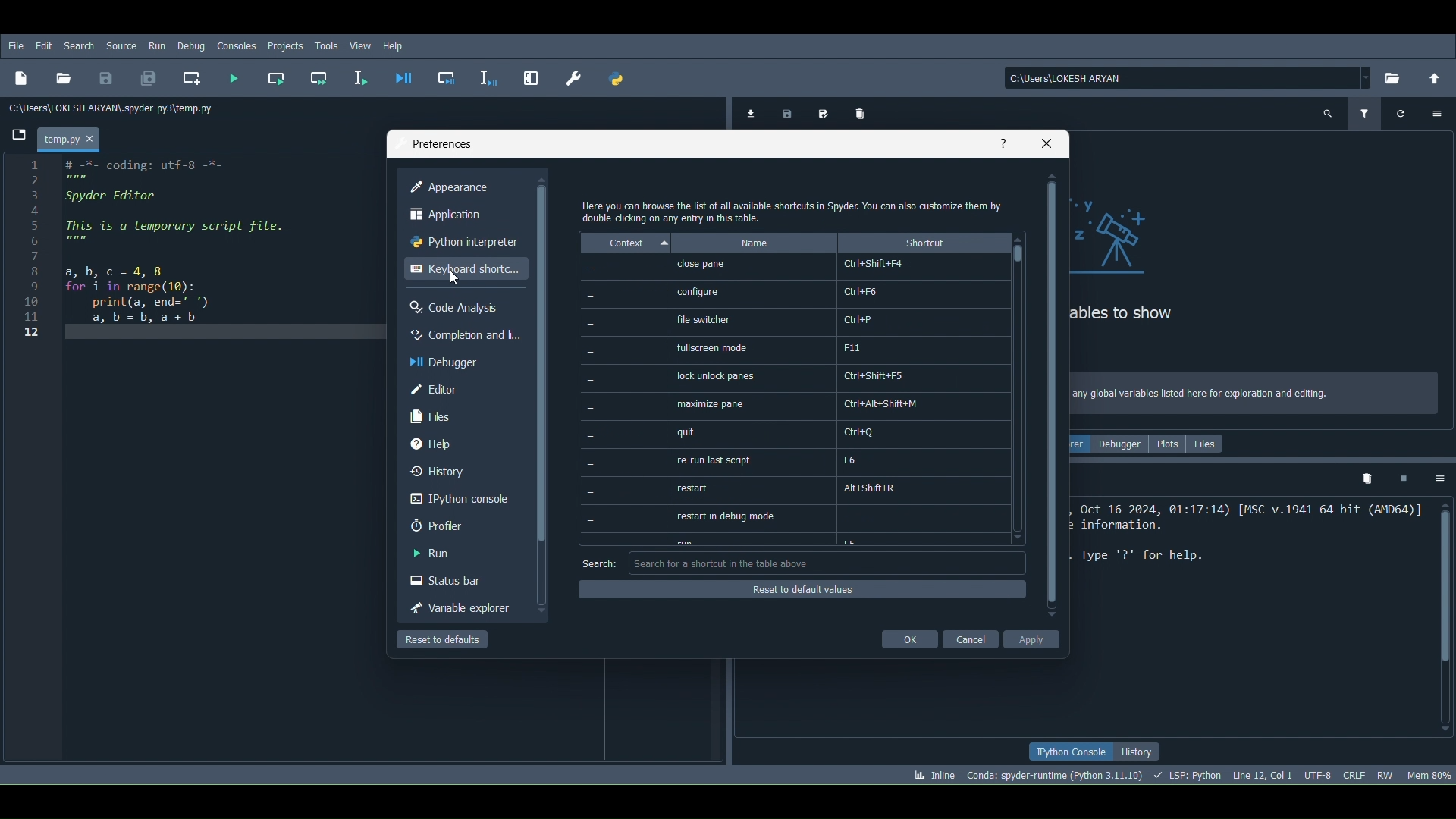 The width and height of the screenshot is (1456, 819). I want to click on Version, so click(1056, 774).